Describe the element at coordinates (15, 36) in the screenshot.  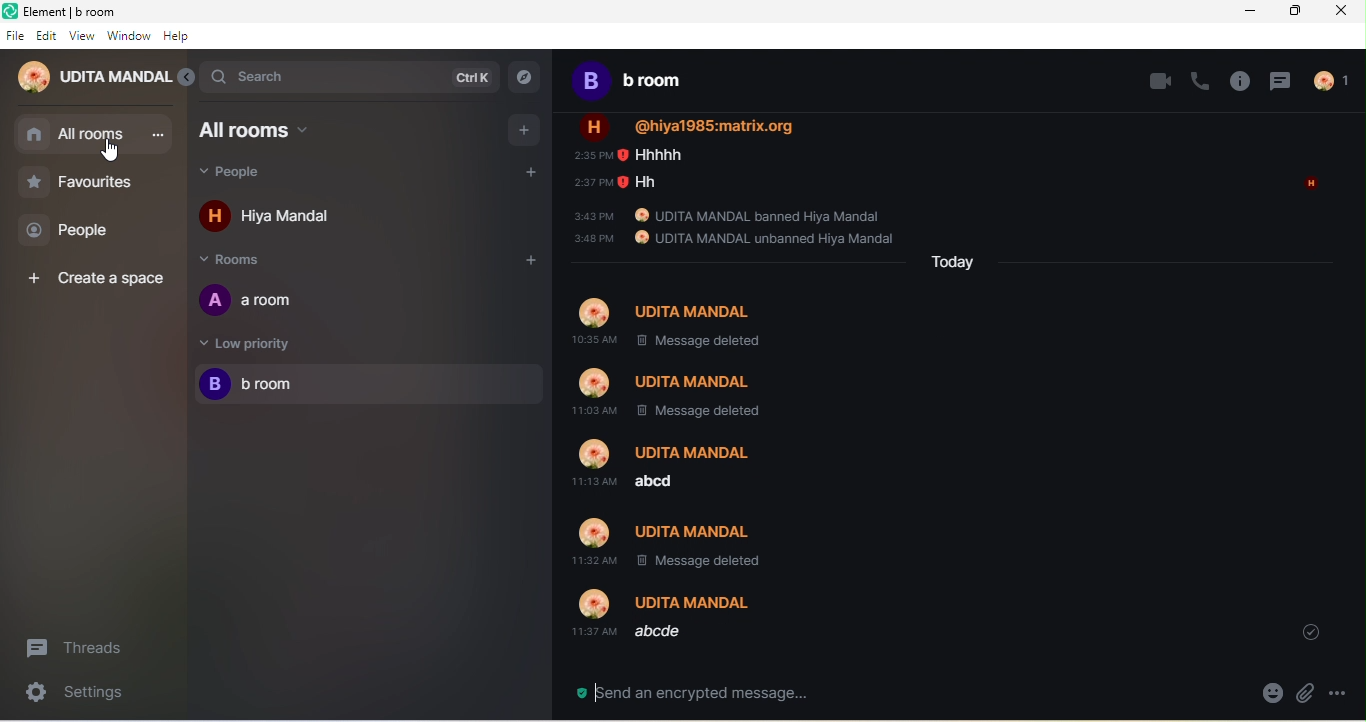
I see `file` at that location.